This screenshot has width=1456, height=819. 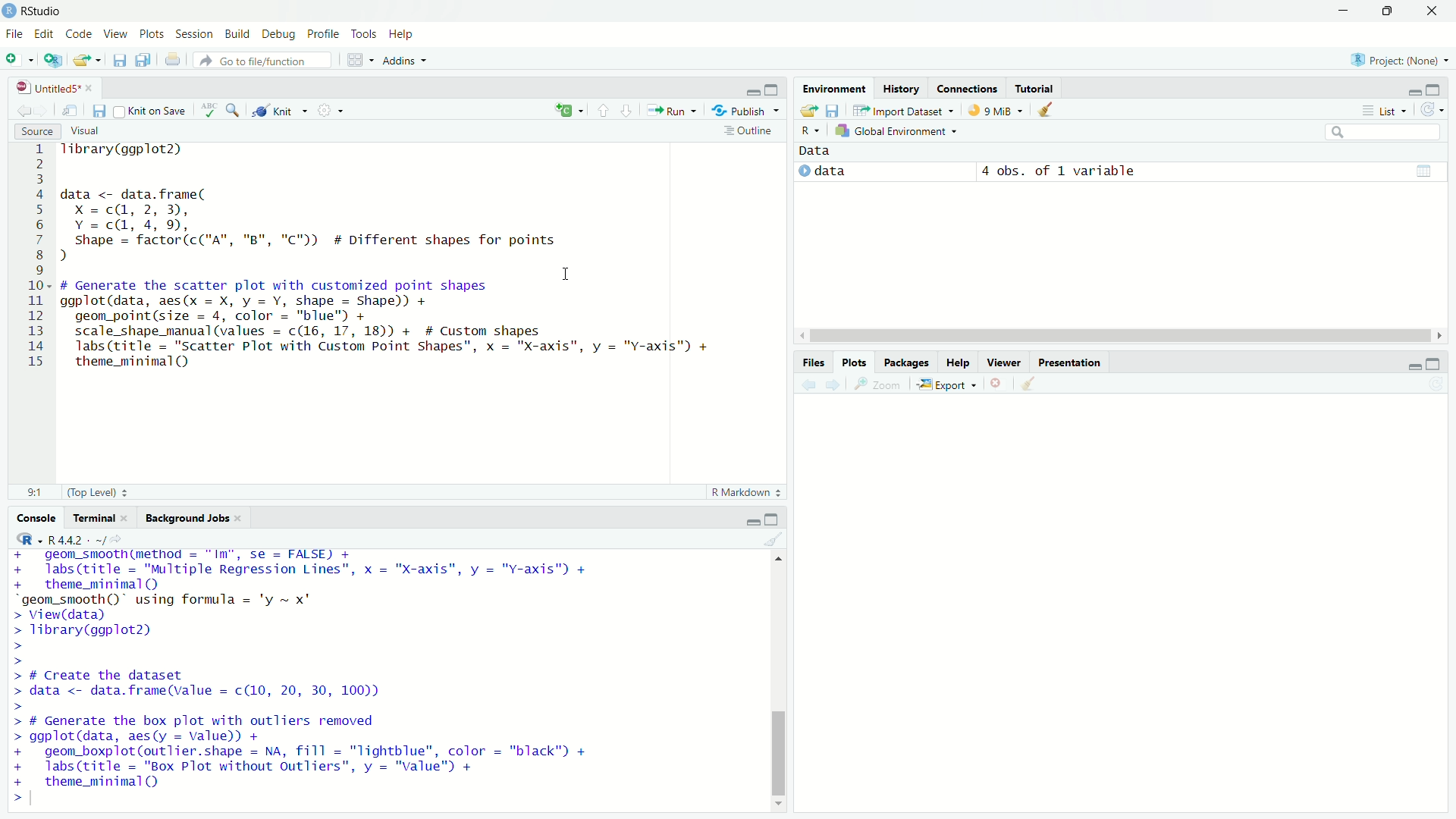 What do you see at coordinates (91, 518) in the screenshot?
I see `Terminal` at bounding box center [91, 518].